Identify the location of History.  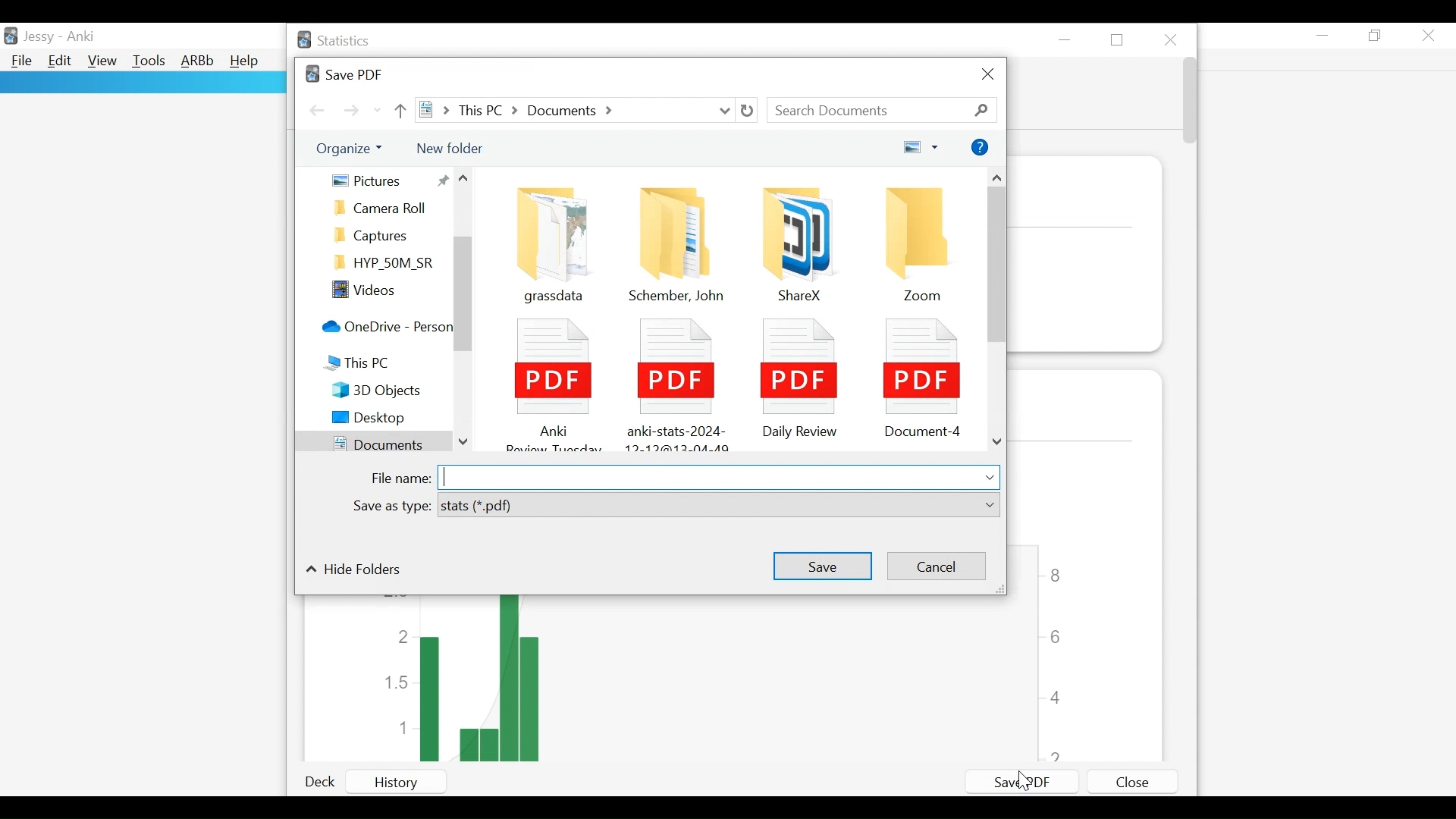
(411, 782).